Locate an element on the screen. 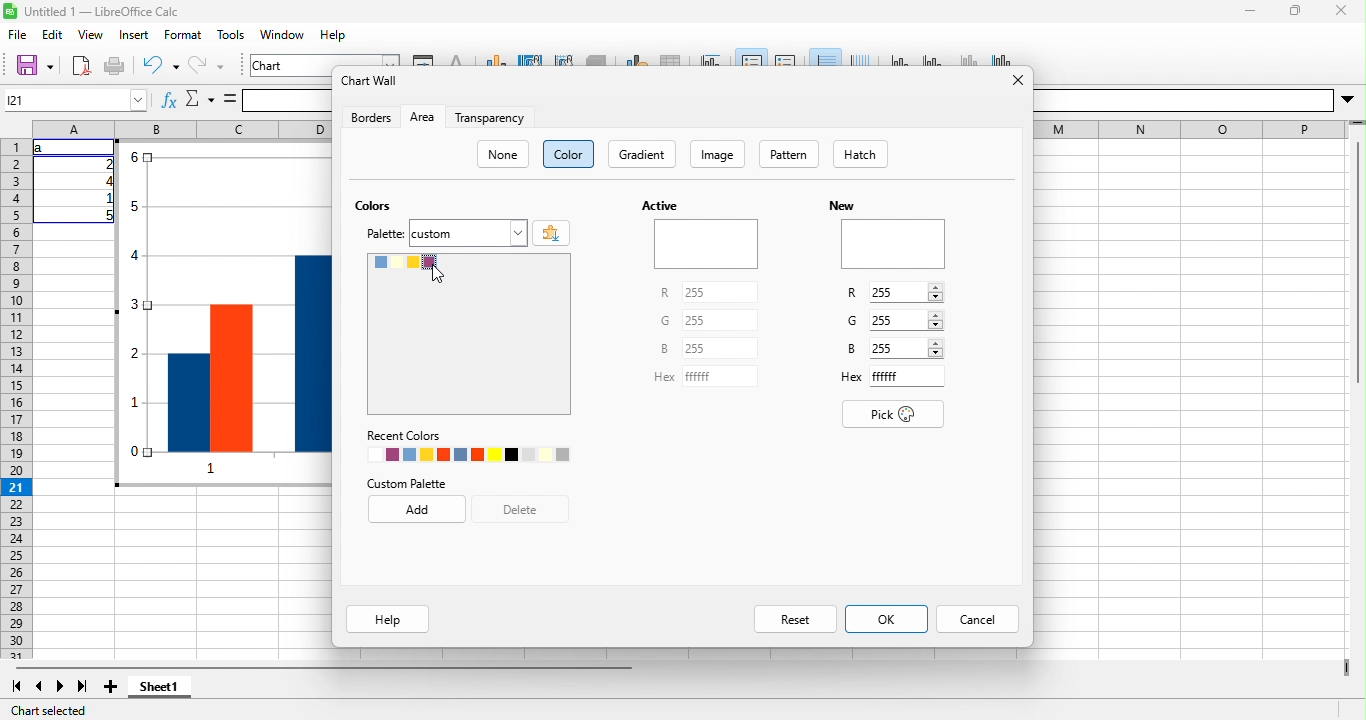  edit is located at coordinates (53, 34).